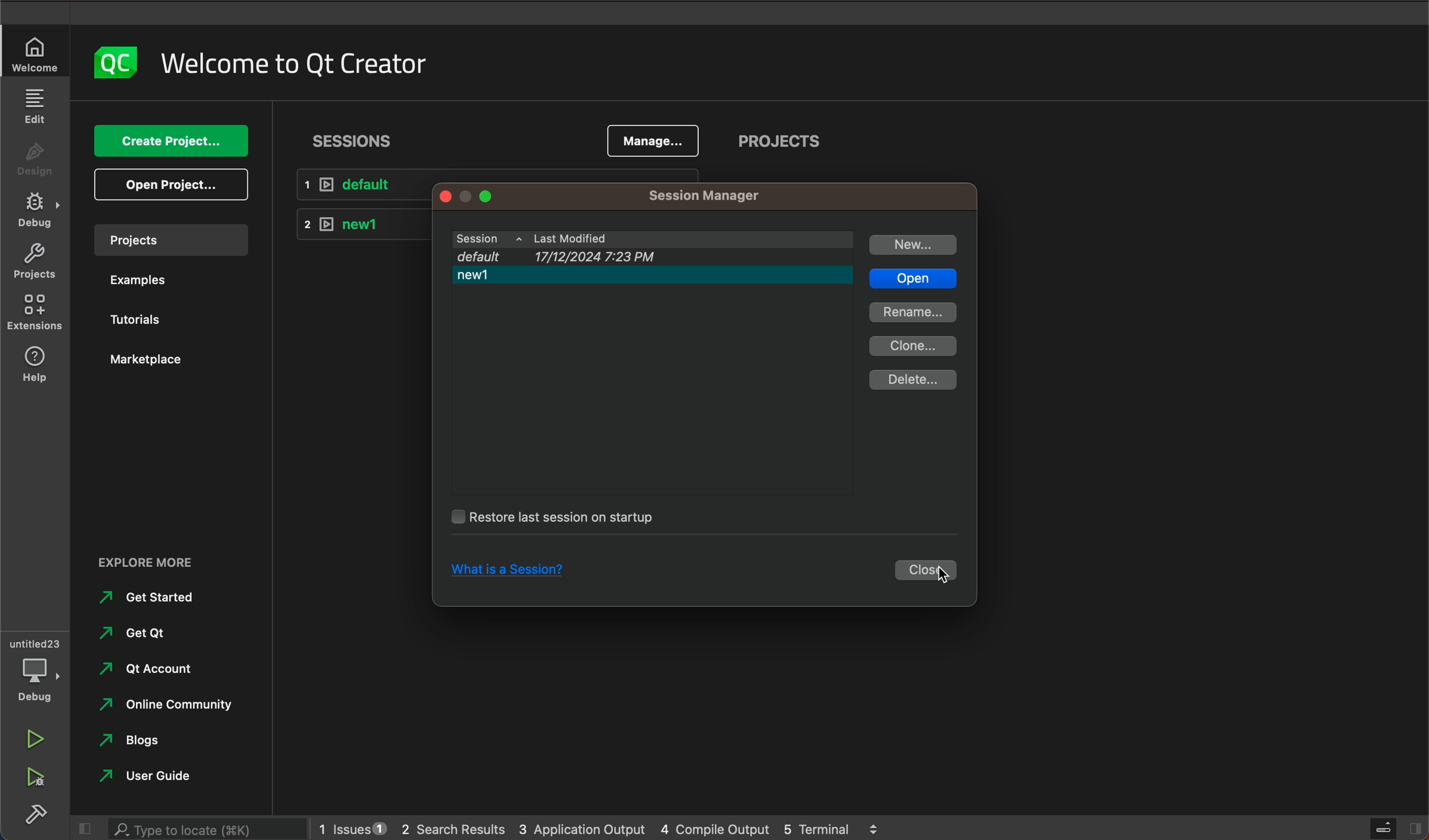  Describe the element at coordinates (583, 826) in the screenshot. I see `application output` at that location.